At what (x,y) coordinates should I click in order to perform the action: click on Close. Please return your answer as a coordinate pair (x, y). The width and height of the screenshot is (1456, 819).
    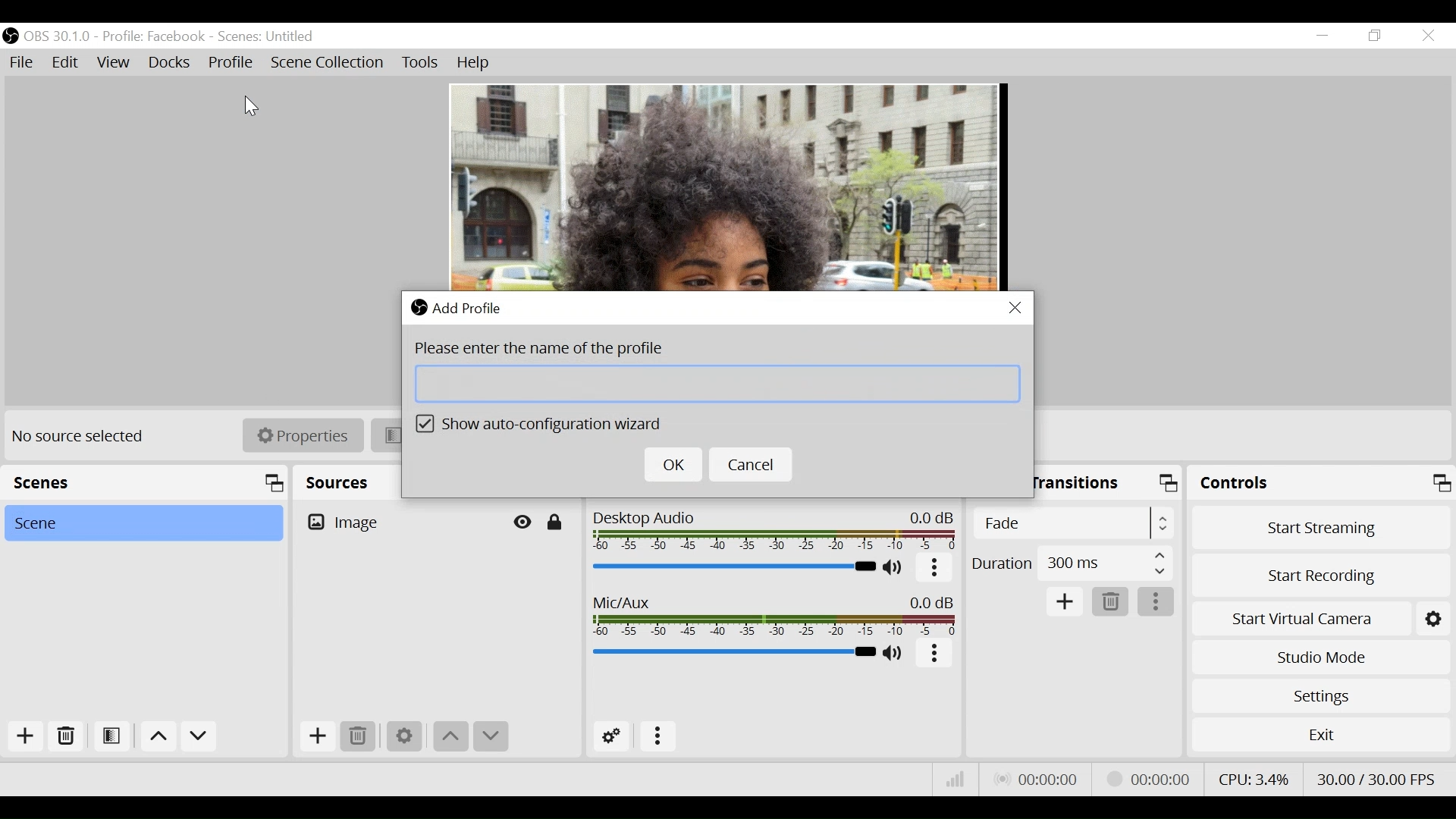
    Looking at the image, I should click on (1427, 35).